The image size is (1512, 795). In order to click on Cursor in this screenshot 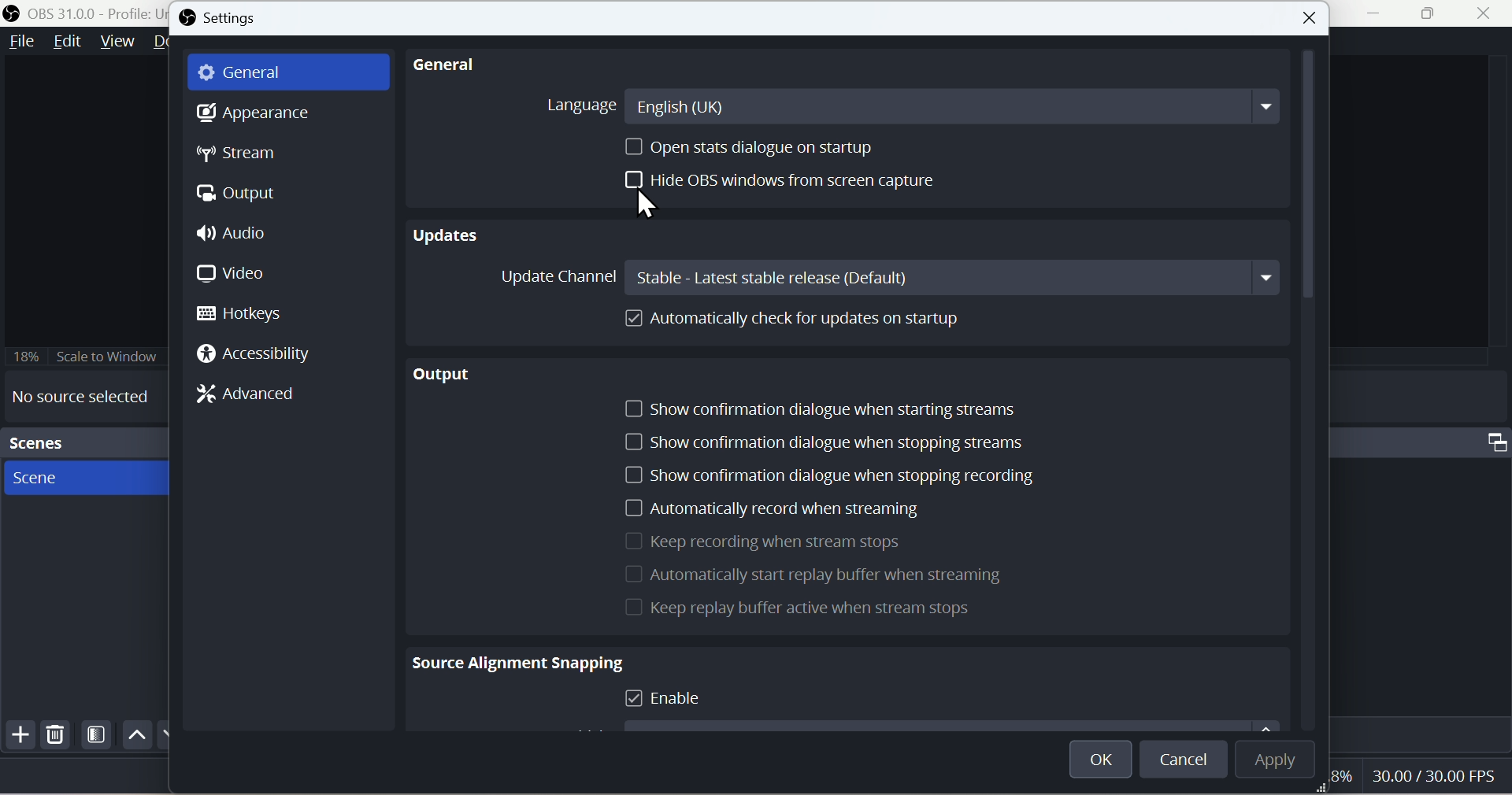, I will do `click(647, 207)`.